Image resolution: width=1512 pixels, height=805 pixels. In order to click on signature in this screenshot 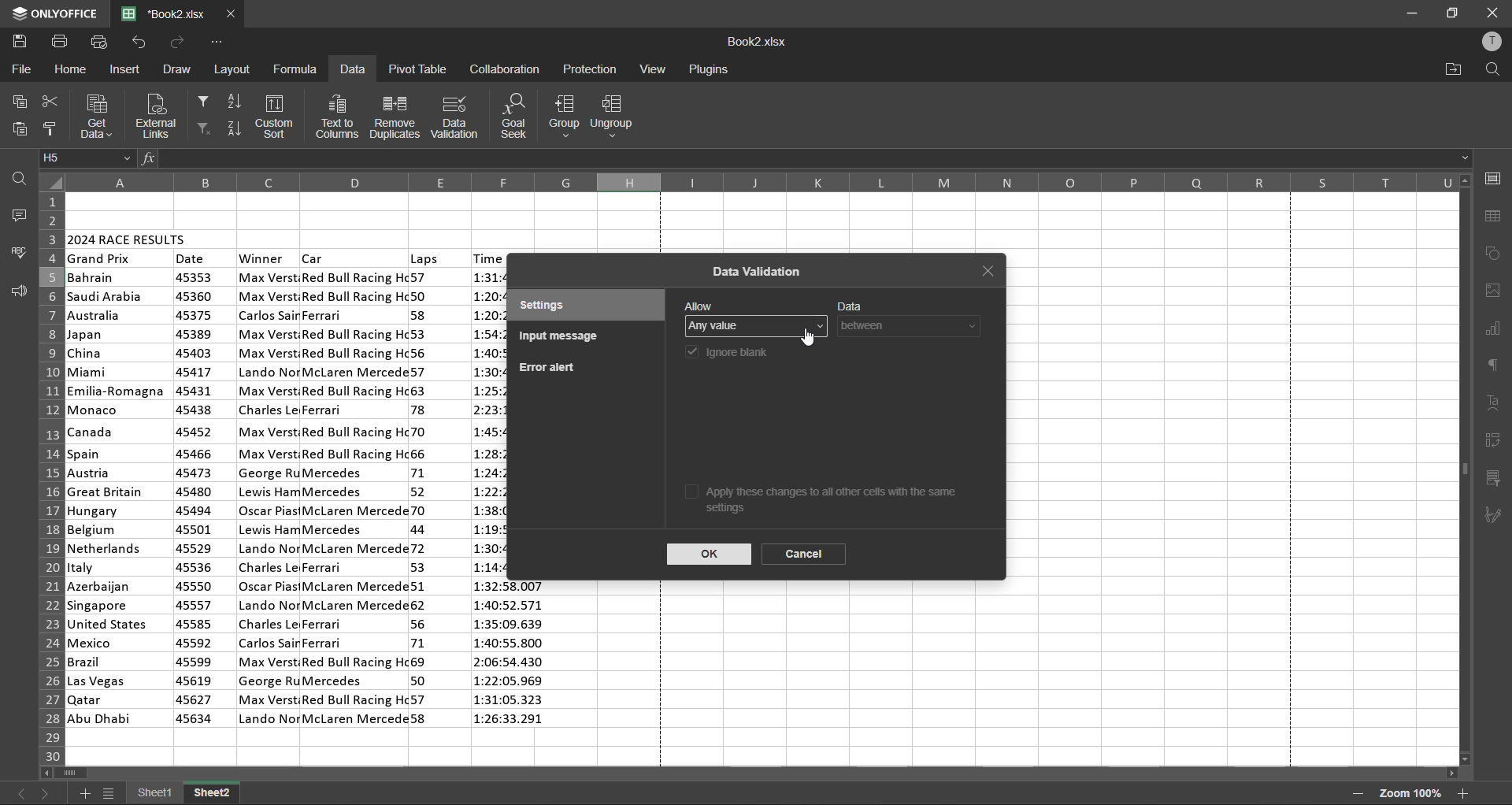, I will do `click(1496, 516)`.